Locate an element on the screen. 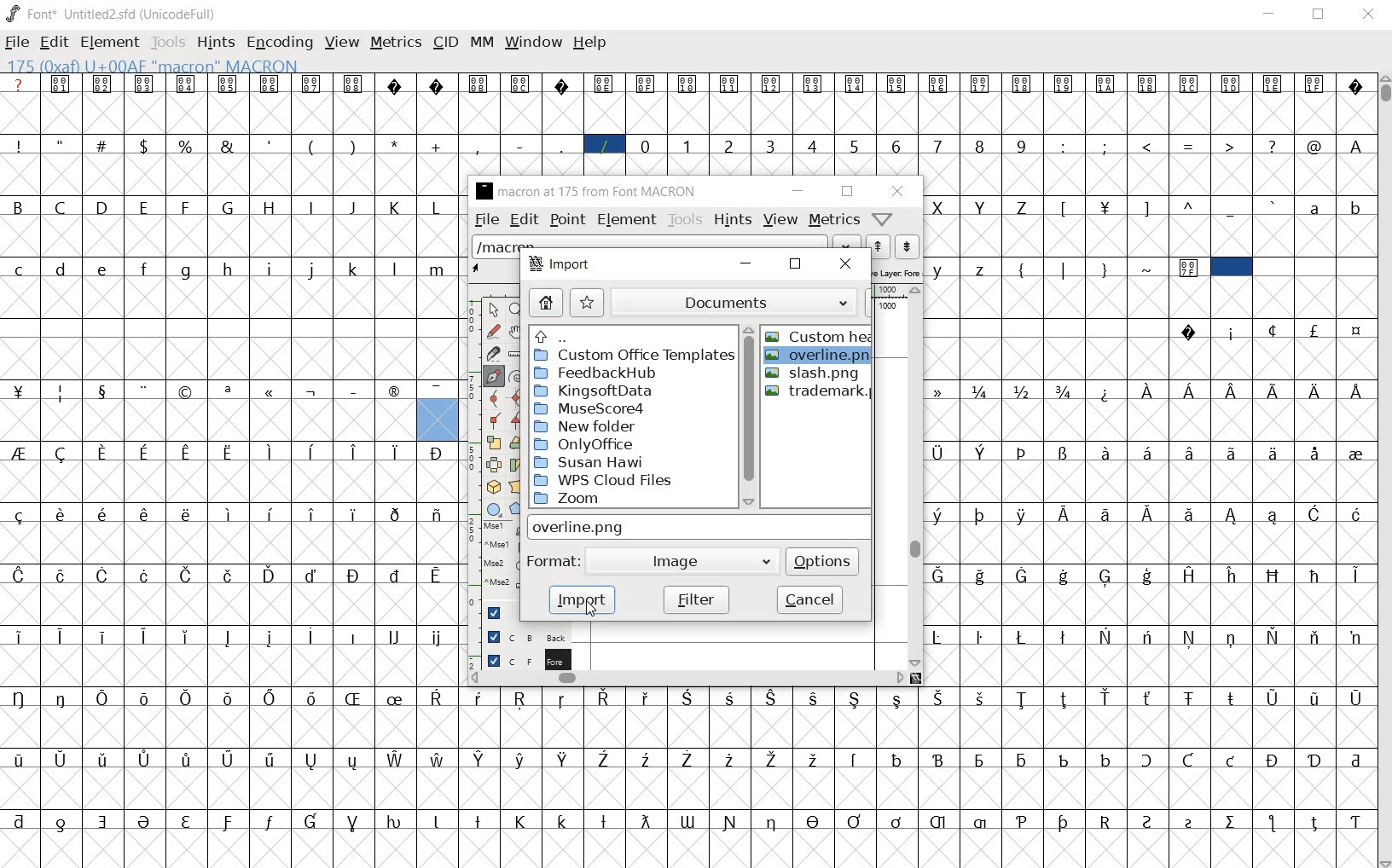 This screenshot has width=1392, height=868. ? is located at coordinates (20, 85).